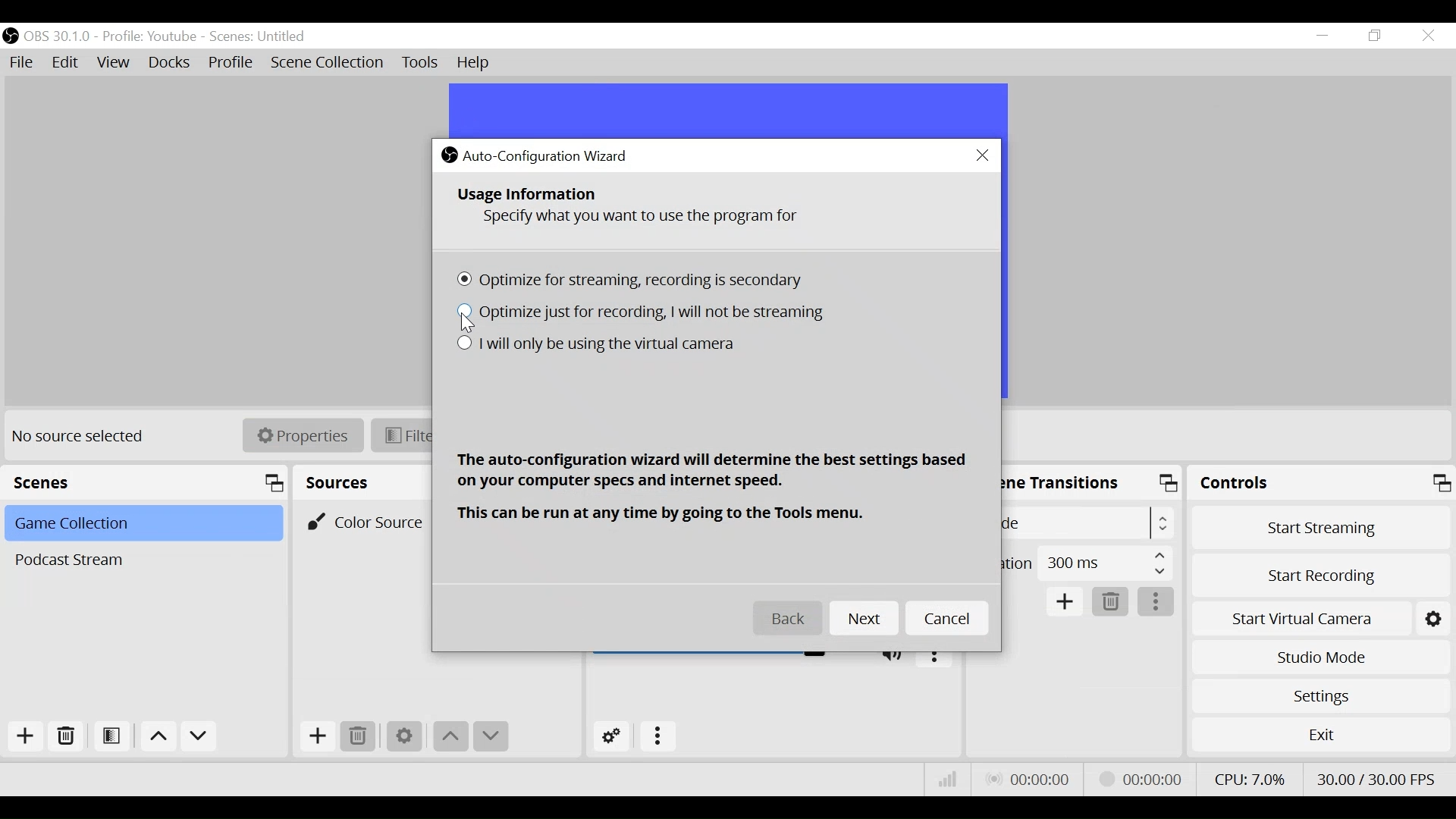  Describe the element at coordinates (449, 154) in the screenshot. I see `OBS Studio Desktop icon` at that location.